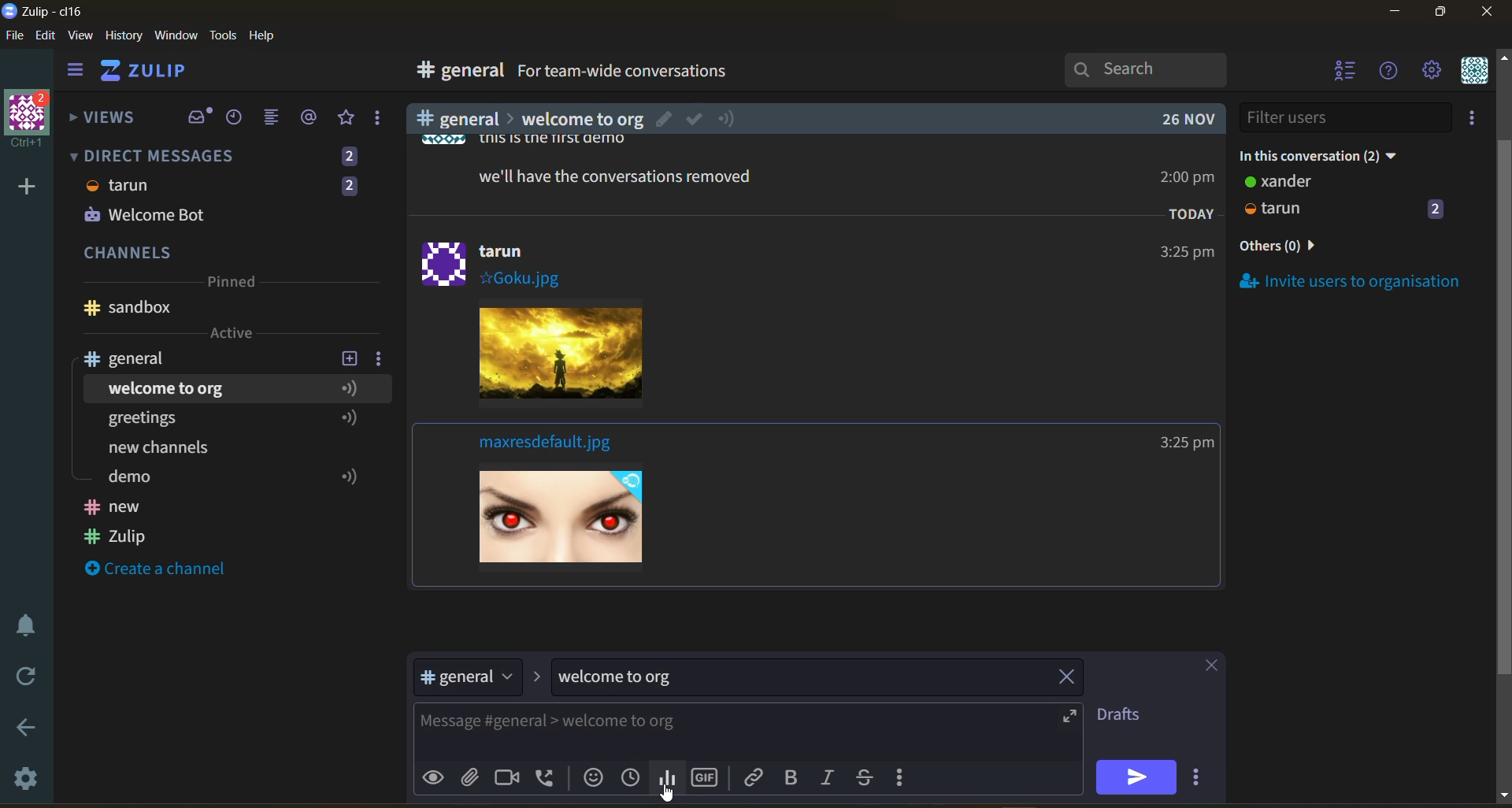 This screenshot has height=808, width=1512. Describe the element at coordinates (136, 358) in the screenshot. I see `channel name` at that location.